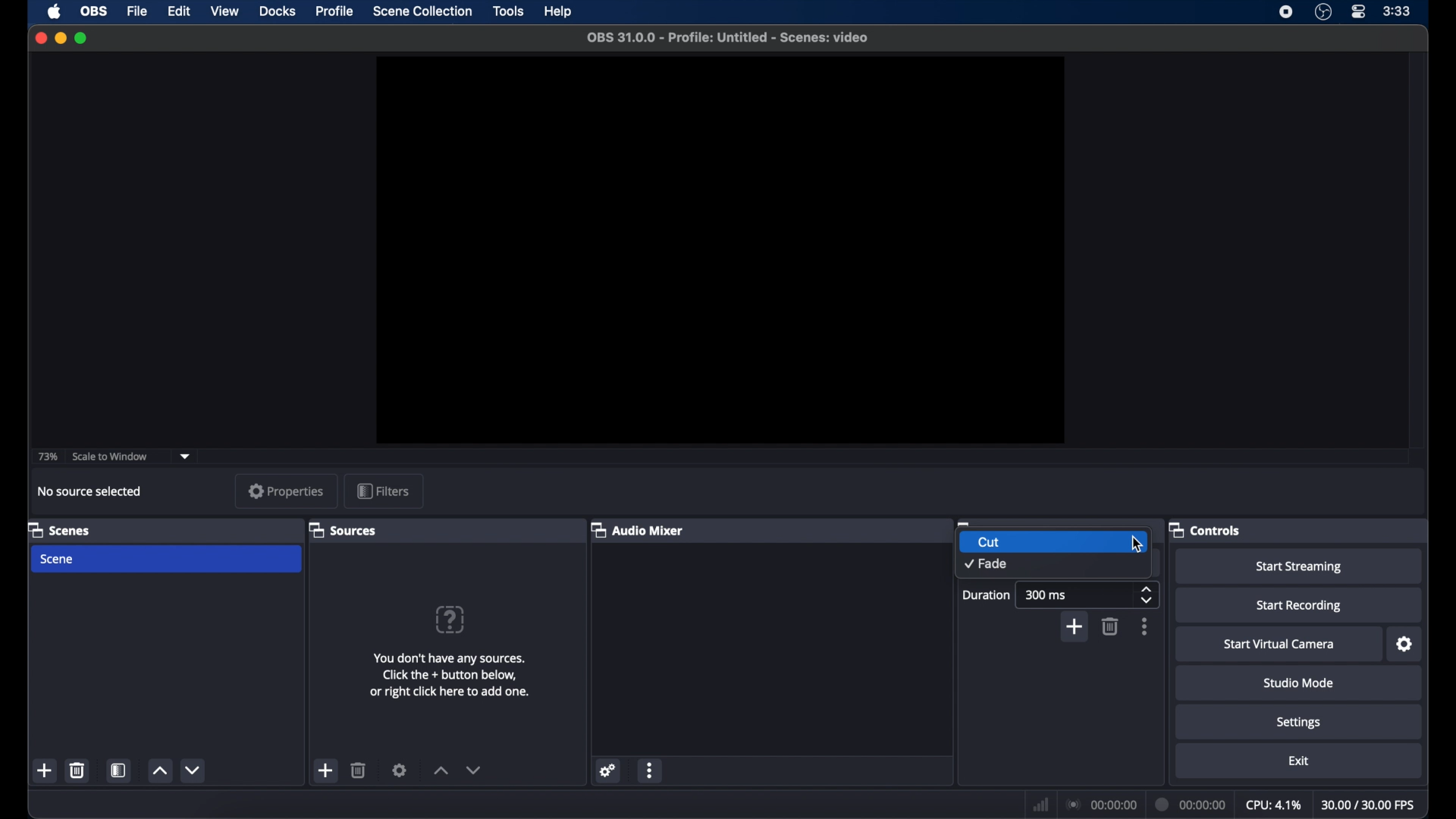  Describe the element at coordinates (95, 11) in the screenshot. I see `obs` at that location.